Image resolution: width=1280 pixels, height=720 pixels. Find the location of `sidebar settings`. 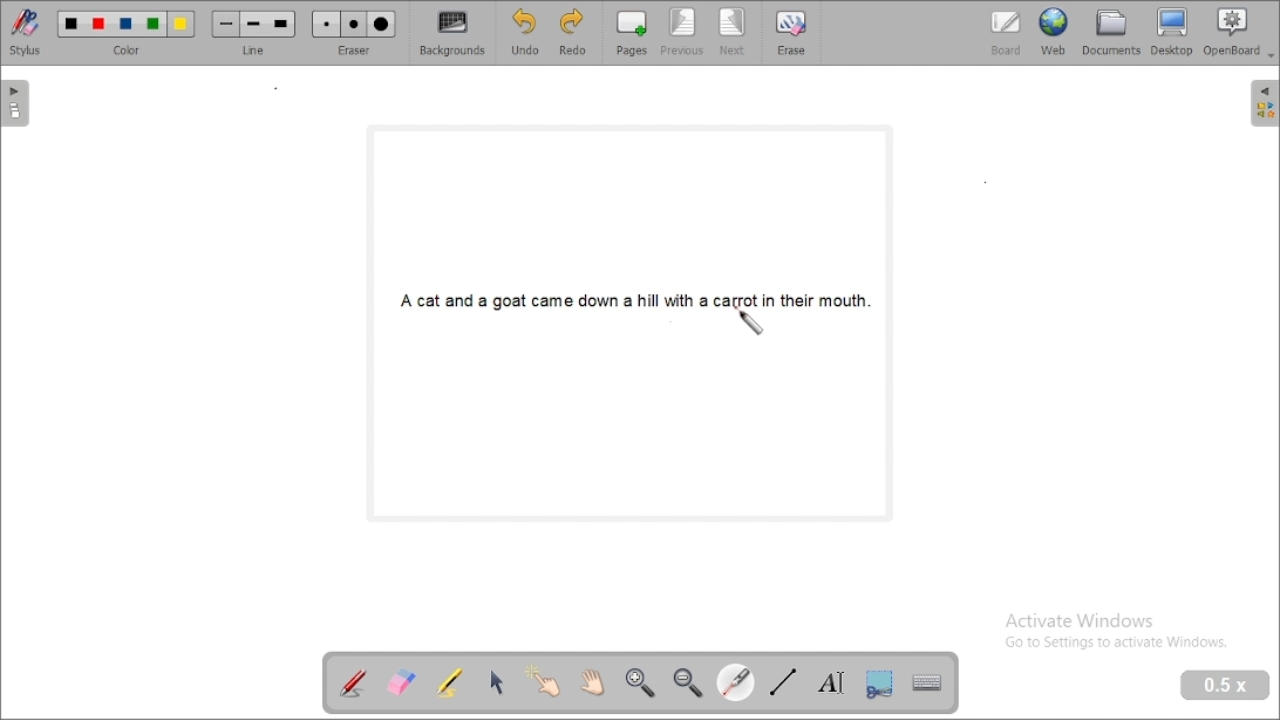

sidebar settings is located at coordinates (1263, 104).